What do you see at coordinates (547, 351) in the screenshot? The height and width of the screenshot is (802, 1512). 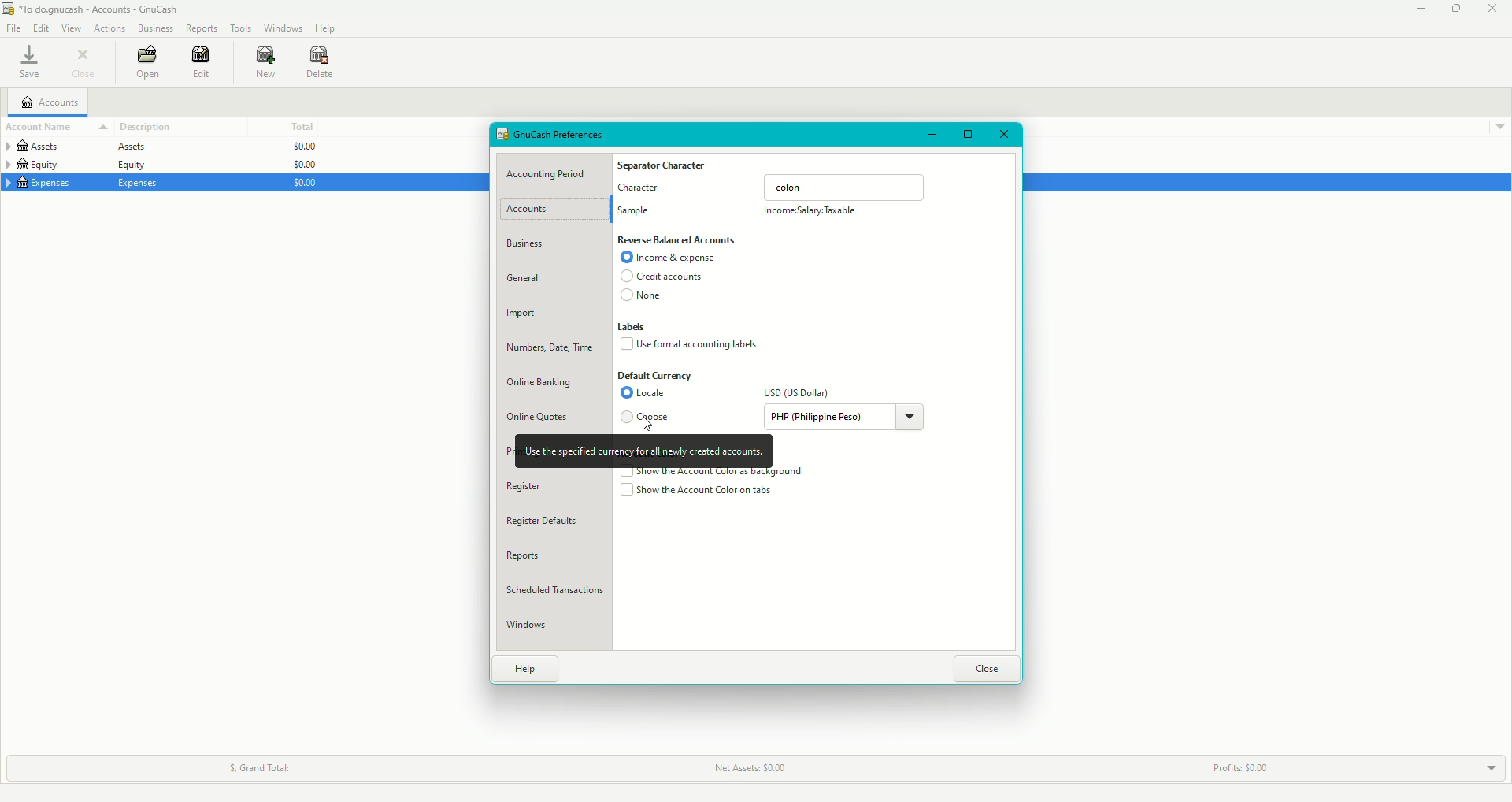 I see `Numbers, Date, Time` at bounding box center [547, 351].